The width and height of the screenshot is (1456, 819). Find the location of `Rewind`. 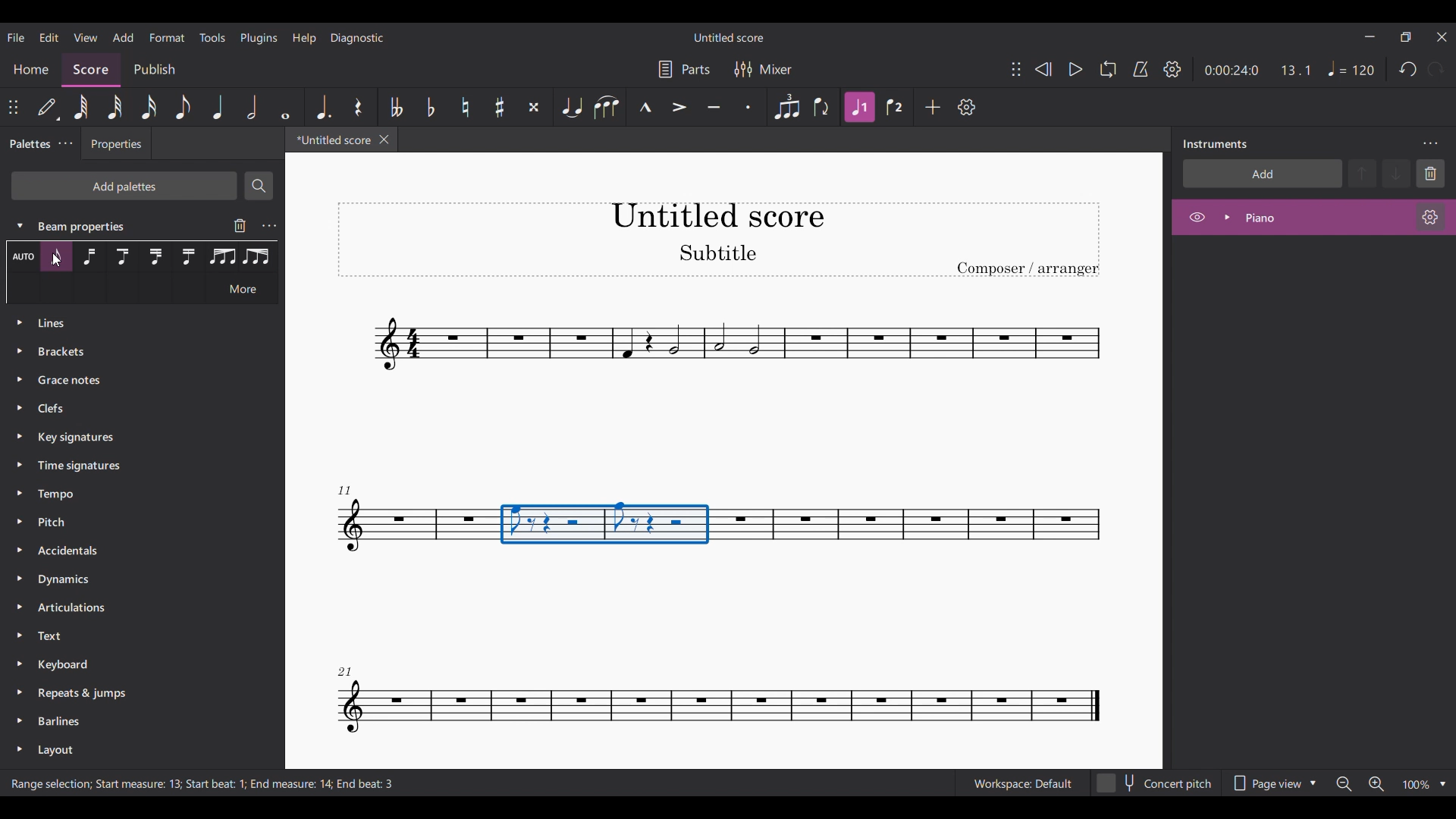

Rewind is located at coordinates (1043, 69).